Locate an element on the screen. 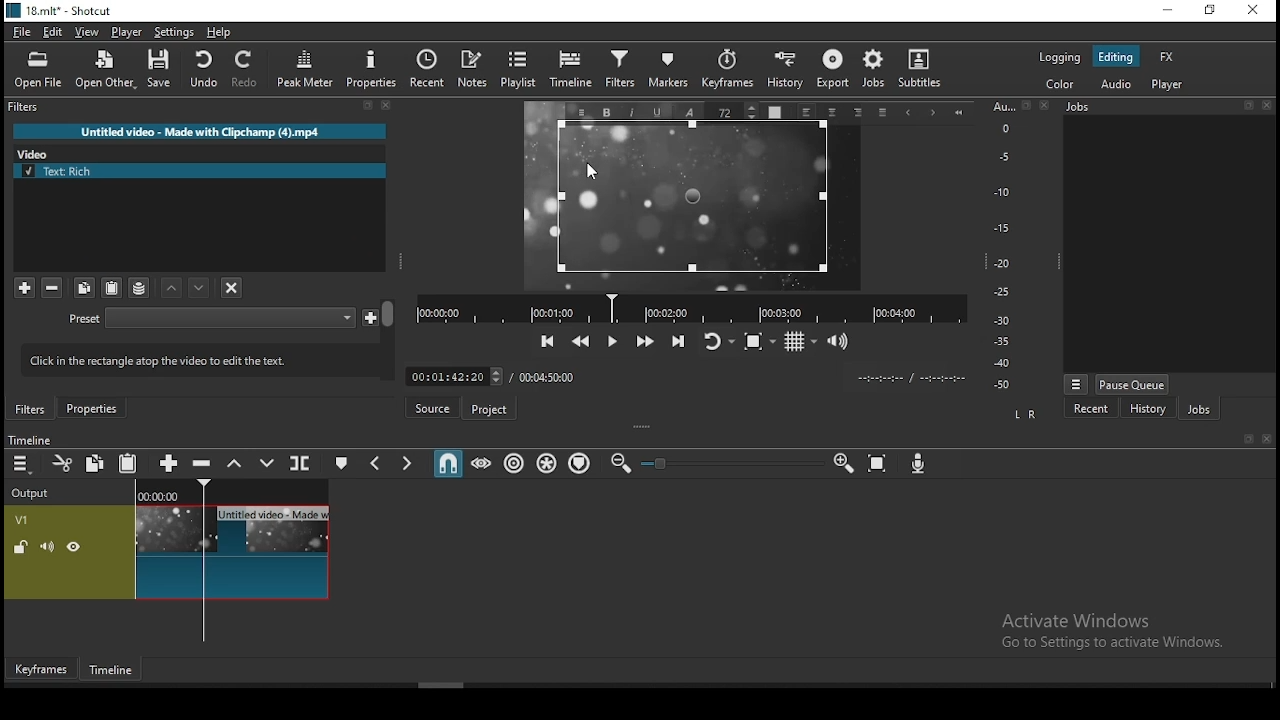 Image resolution: width=1280 pixels, height=720 pixels. zoom timeline out is located at coordinates (620, 463).